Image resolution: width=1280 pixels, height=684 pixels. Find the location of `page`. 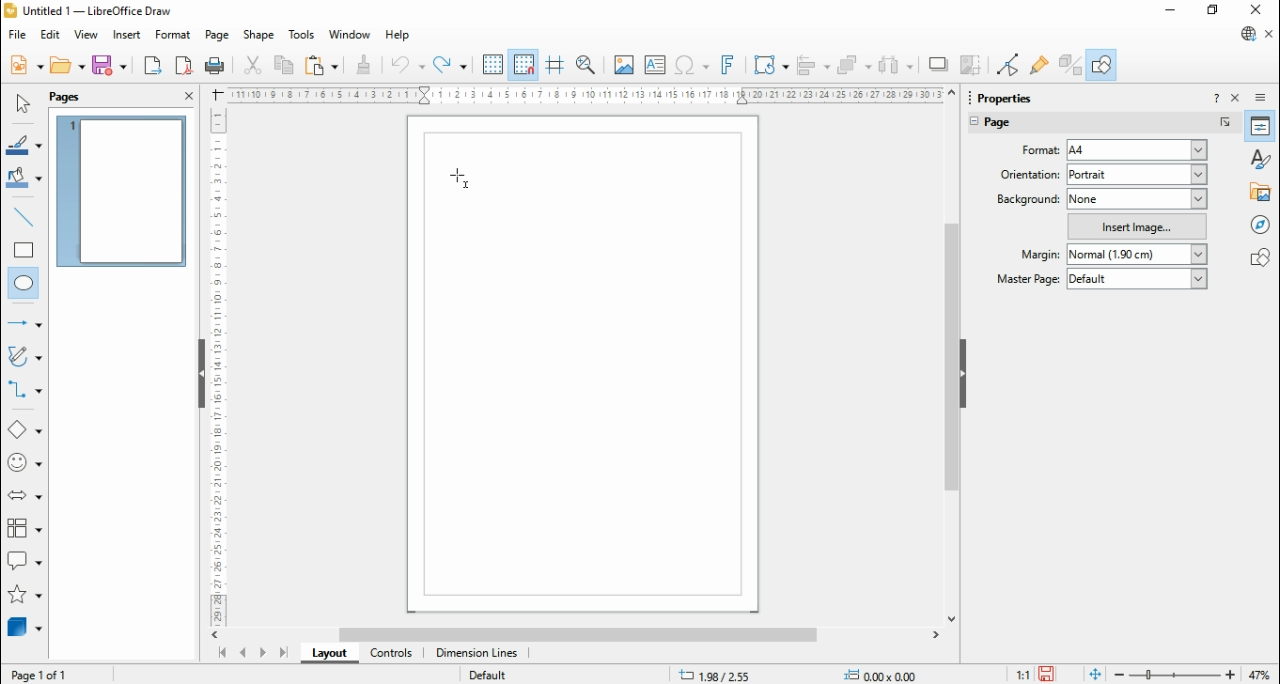

page is located at coordinates (1011, 125).